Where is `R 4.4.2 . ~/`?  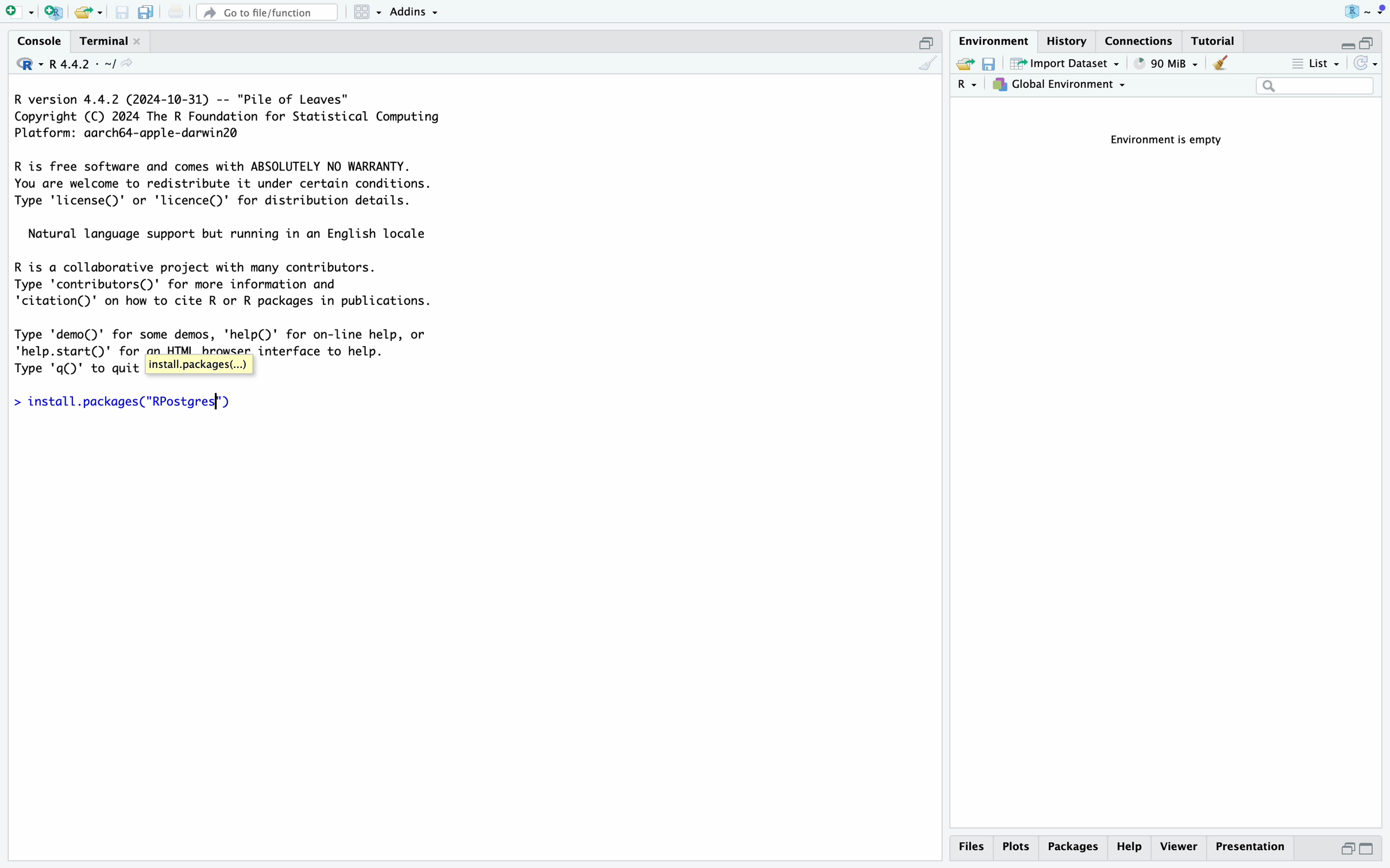 R 4.4.2 . ~/ is located at coordinates (84, 63).